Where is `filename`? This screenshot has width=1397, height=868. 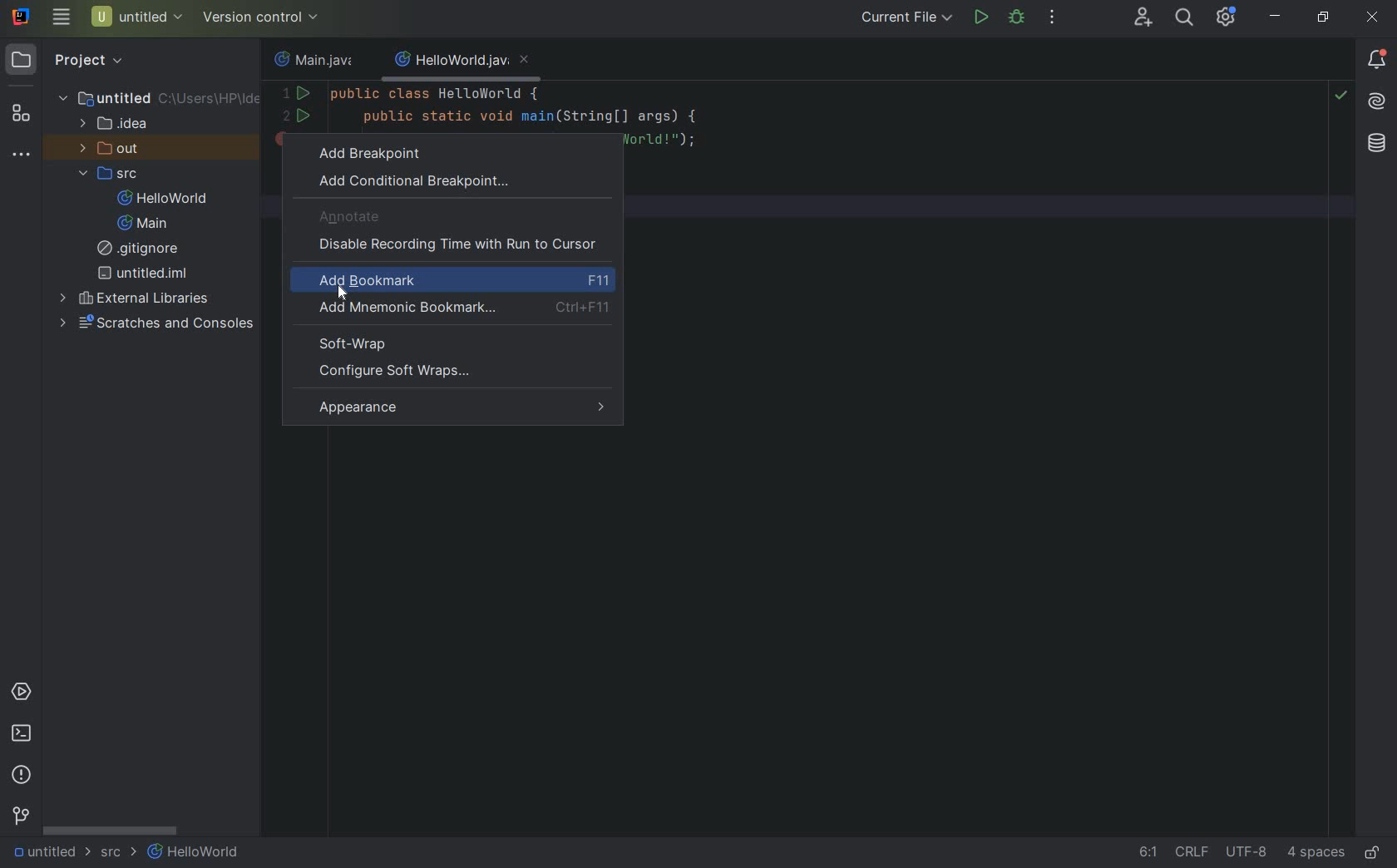
filename is located at coordinates (461, 63).